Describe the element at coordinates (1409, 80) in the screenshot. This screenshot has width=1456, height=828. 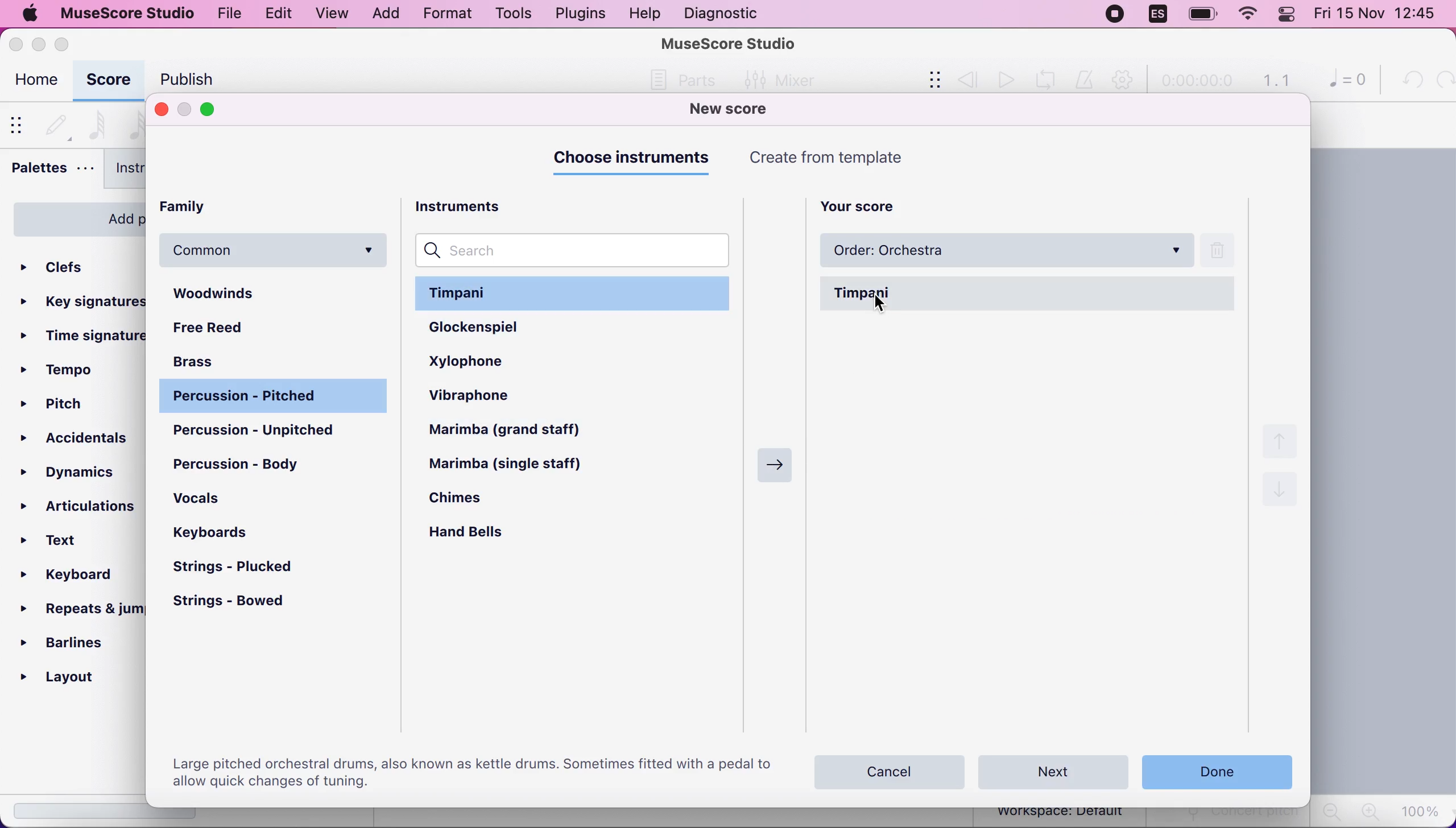
I see `undo` at that location.